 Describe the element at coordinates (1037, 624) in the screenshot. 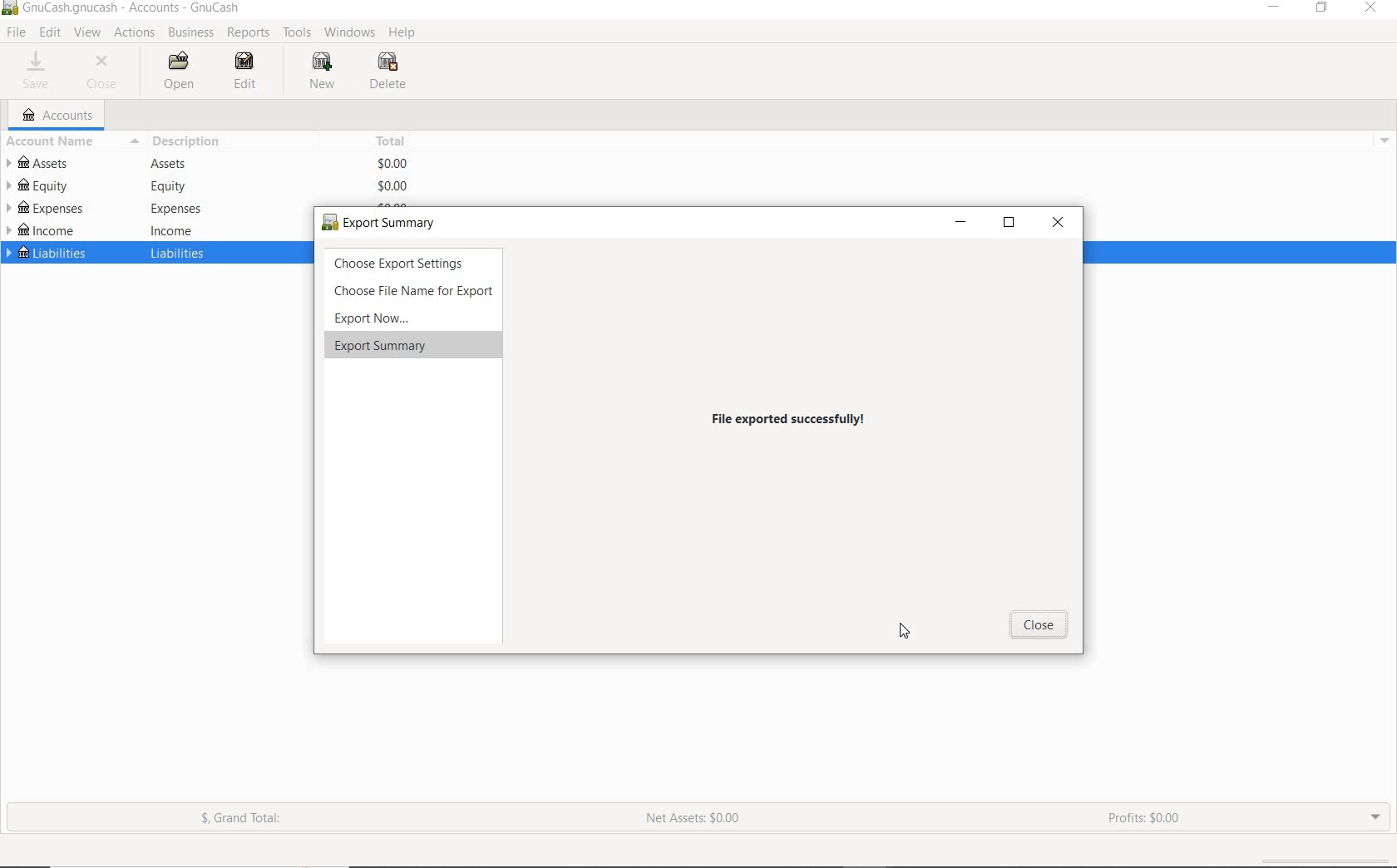

I see `Cancel` at that location.